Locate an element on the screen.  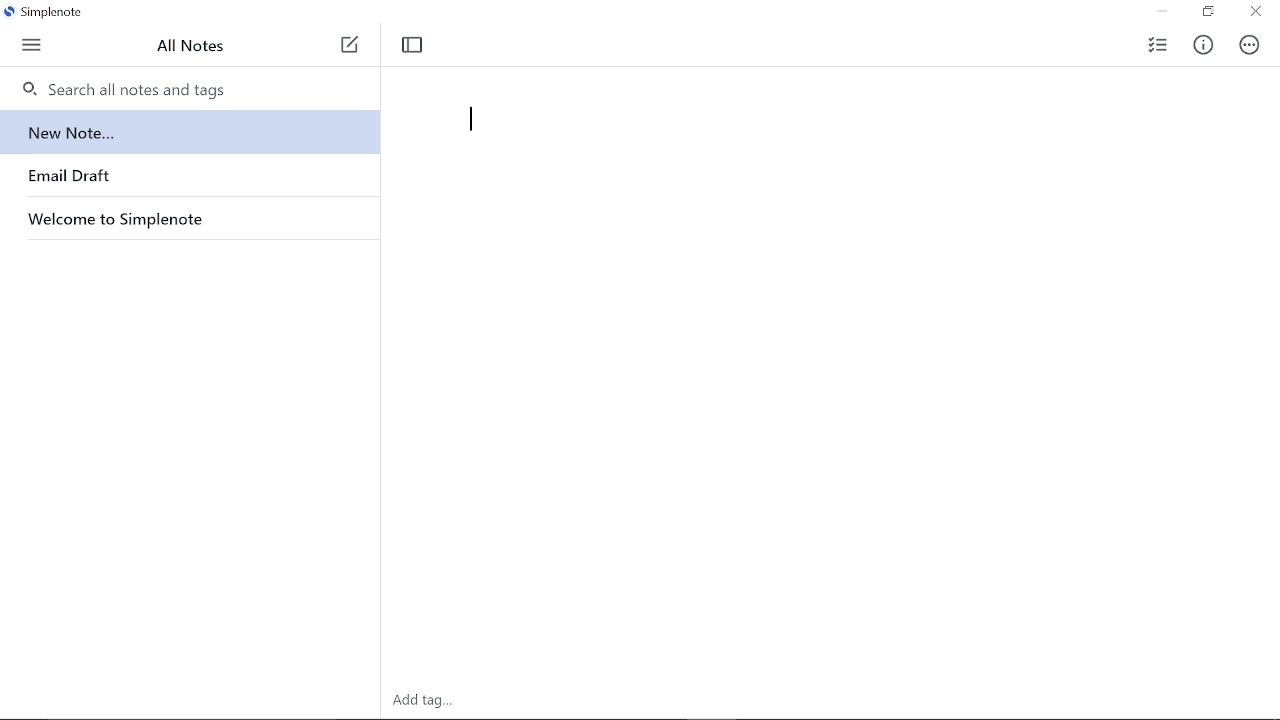
Email Draft is located at coordinates (70, 177).